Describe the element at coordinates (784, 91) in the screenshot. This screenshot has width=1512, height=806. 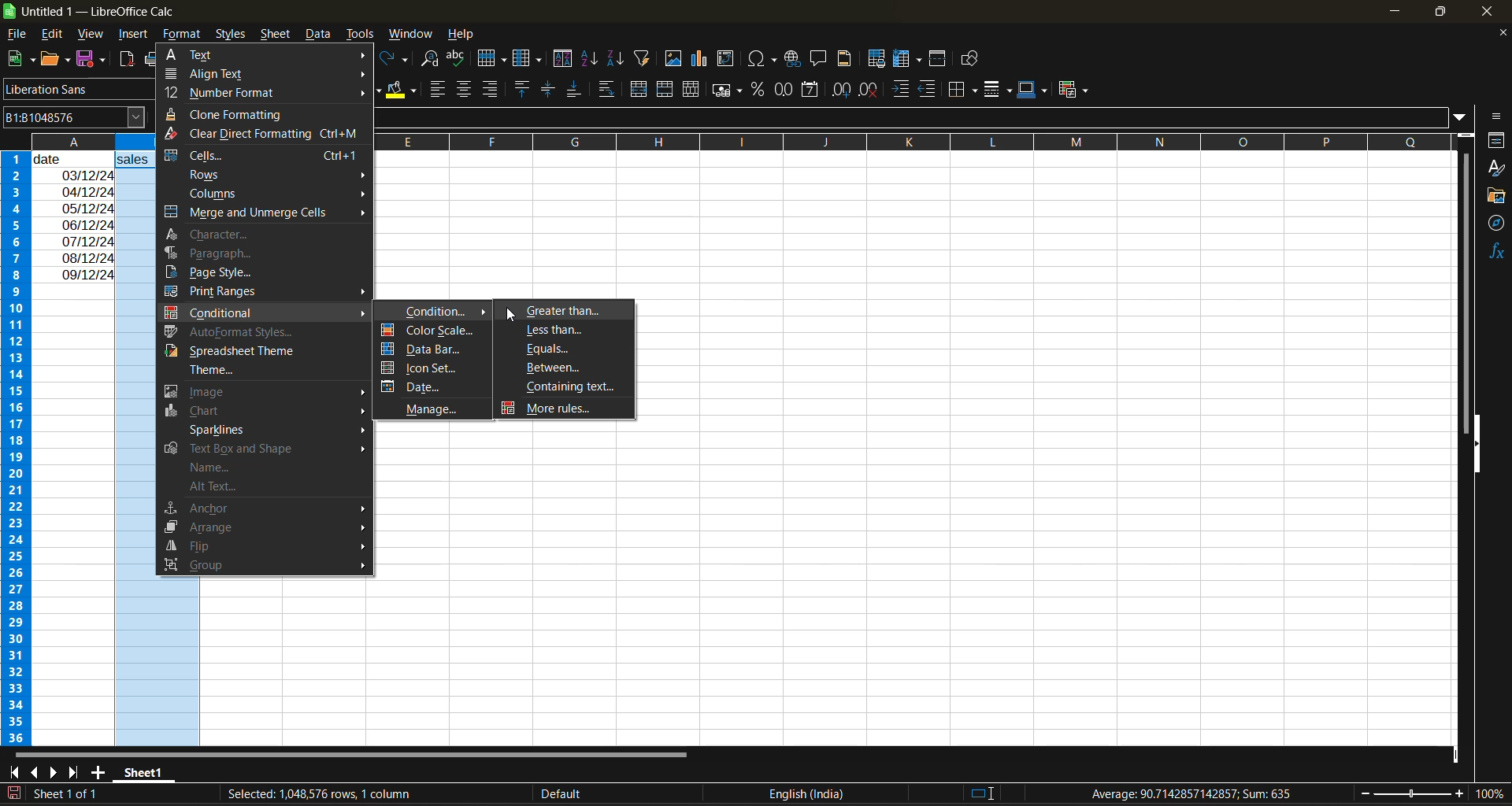
I see `format as number` at that location.